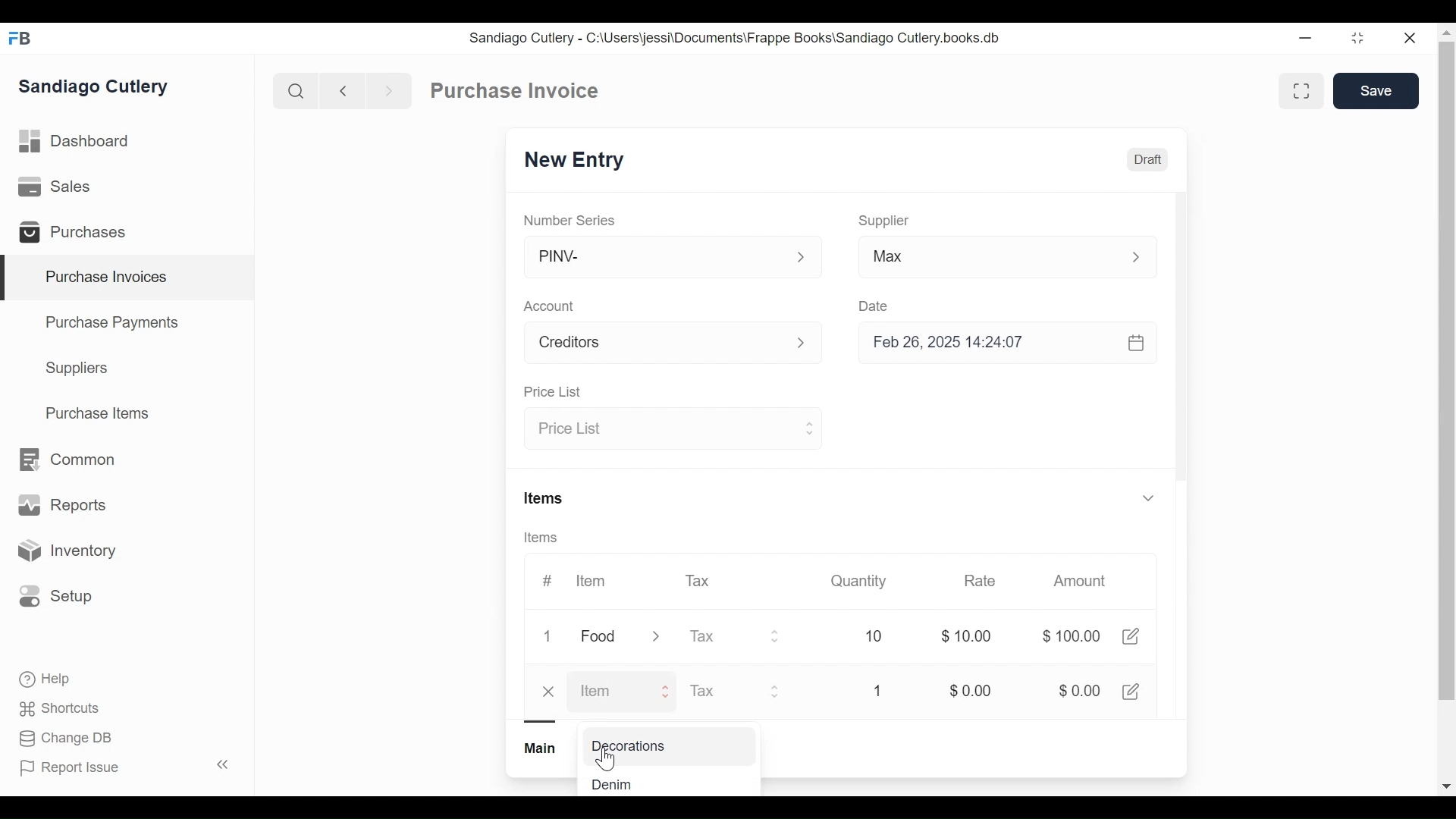 Image resolution: width=1456 pixels, height=819 pixels. I want to click on Tax, so click(701, 579).